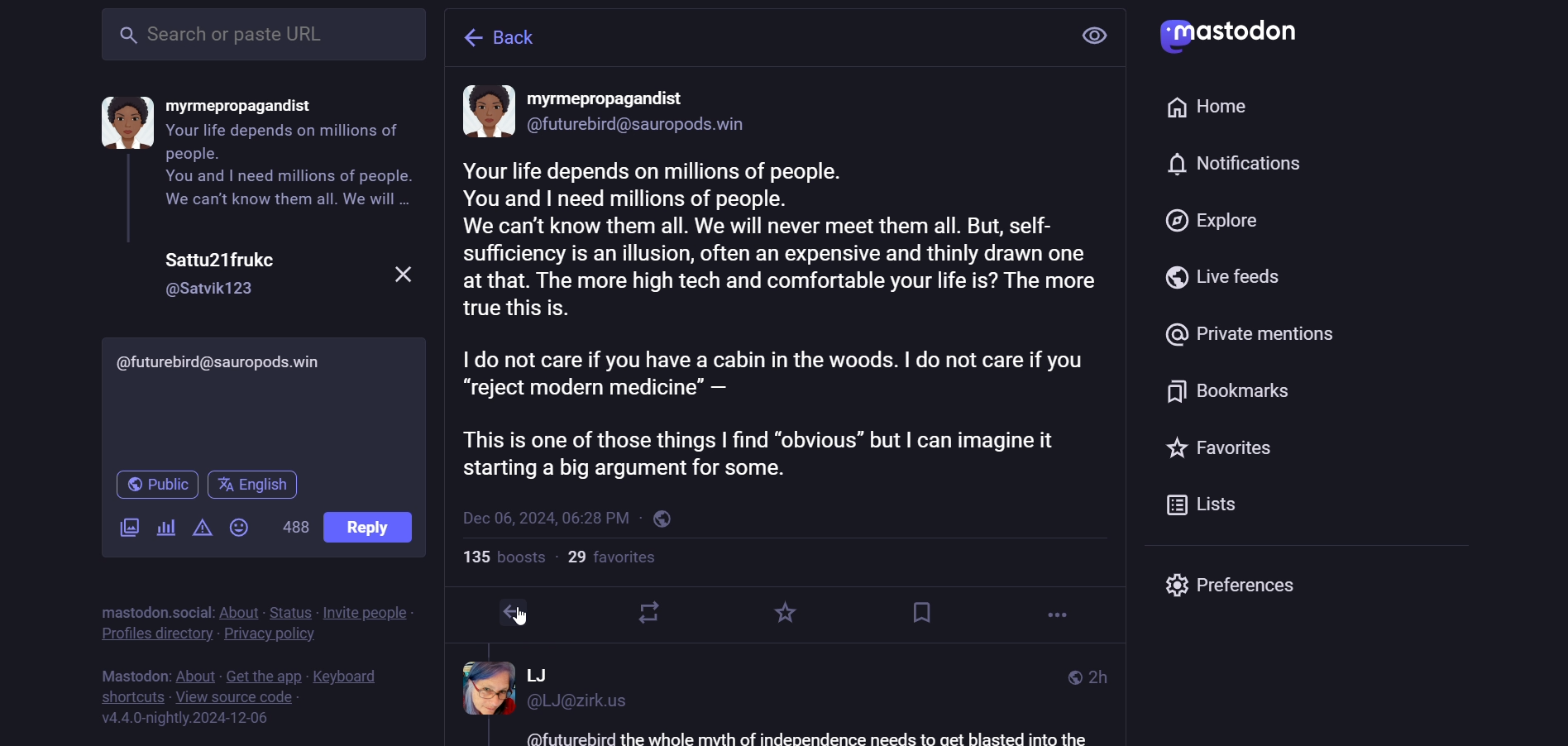 This screenshot has width=1568, height=746. What do you see at coordinates (1246, 336) in the screenshot?
I see `private mention` at bounding box center [1246, 336].